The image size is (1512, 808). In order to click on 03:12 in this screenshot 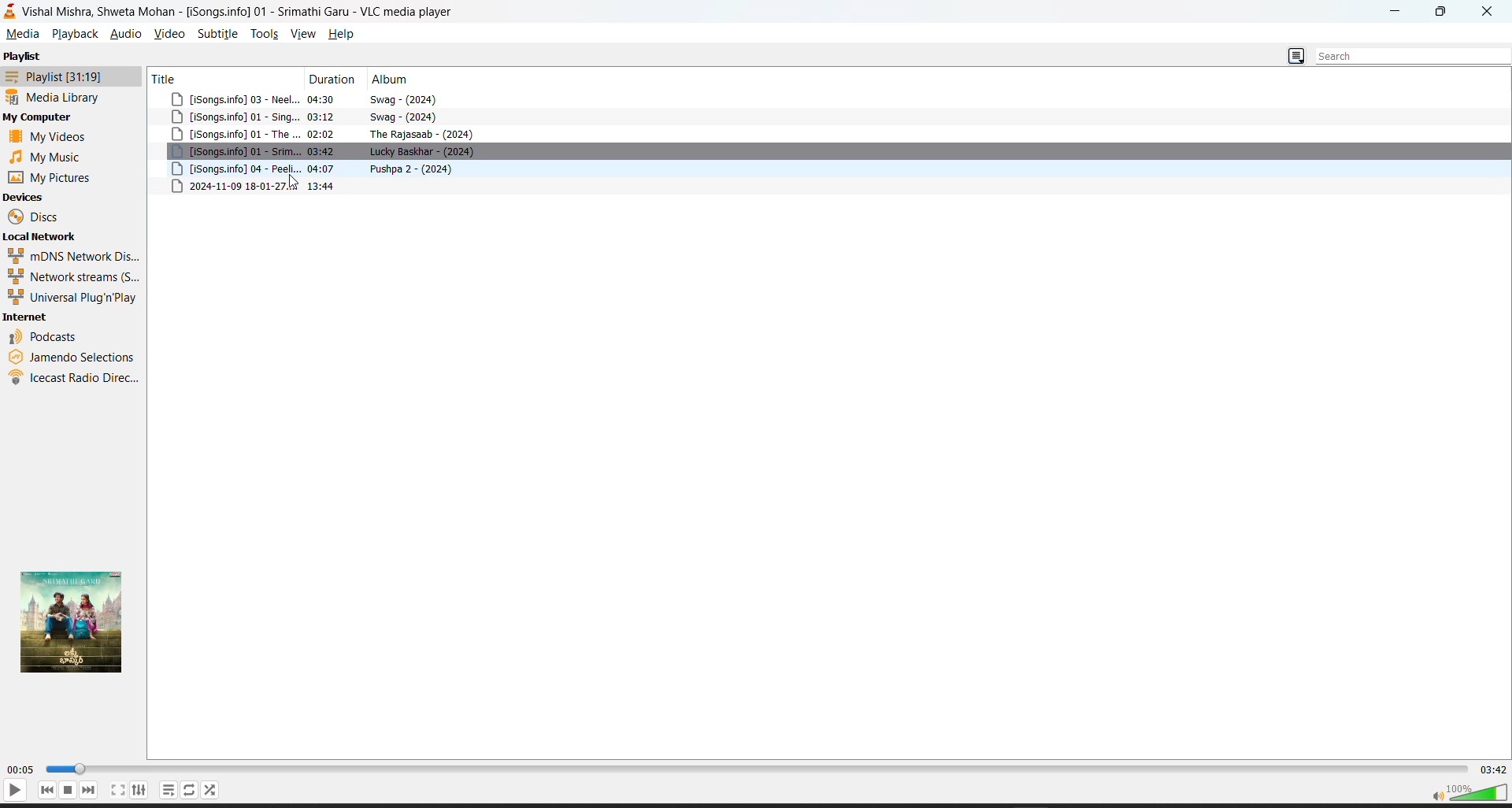, I will do `click(323, 117)`.